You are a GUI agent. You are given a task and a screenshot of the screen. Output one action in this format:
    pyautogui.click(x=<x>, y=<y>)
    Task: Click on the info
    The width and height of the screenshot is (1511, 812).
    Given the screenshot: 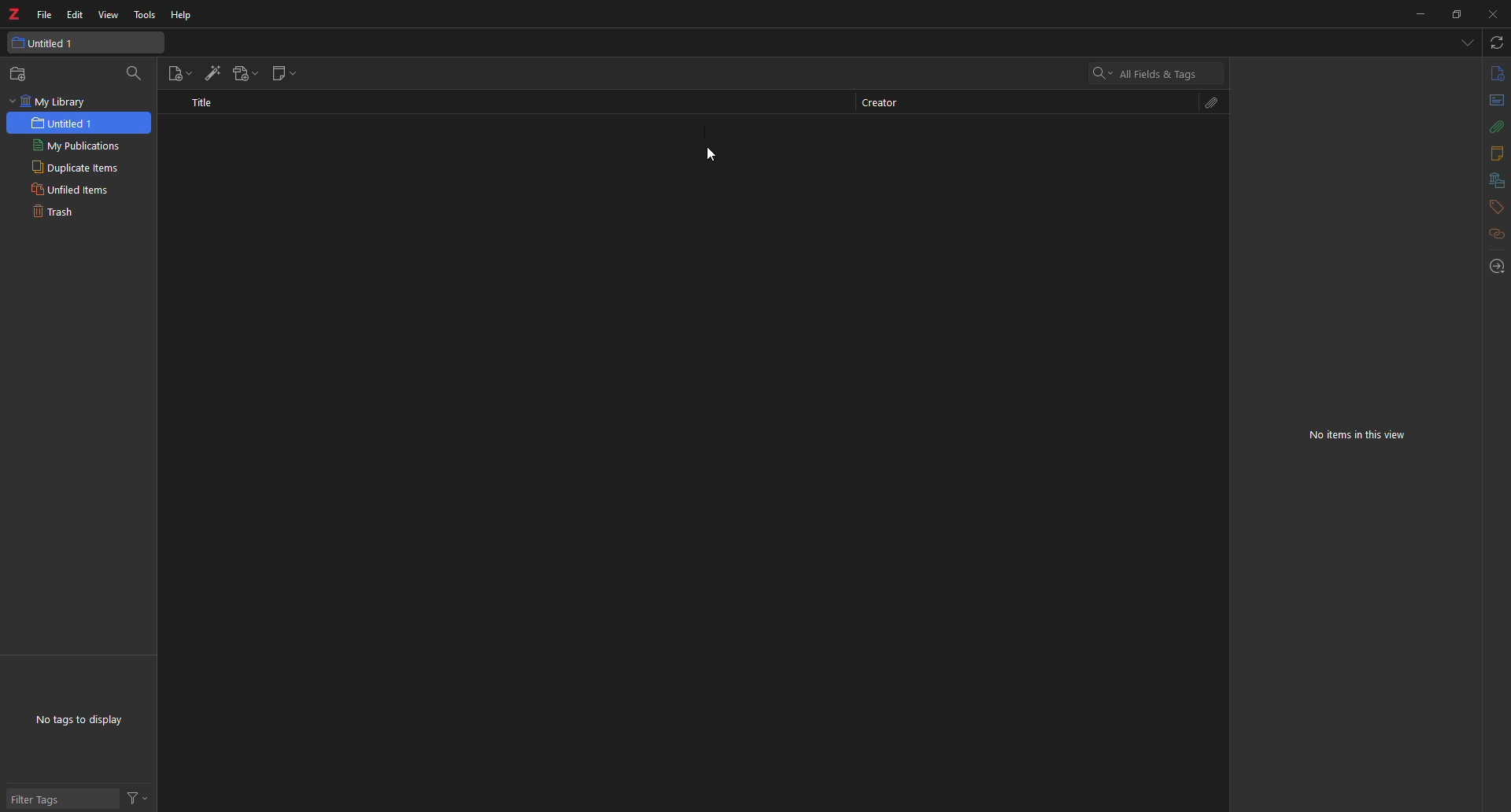 What is the action you would take?
    pyautogui.click(x=1495, y=74)
    